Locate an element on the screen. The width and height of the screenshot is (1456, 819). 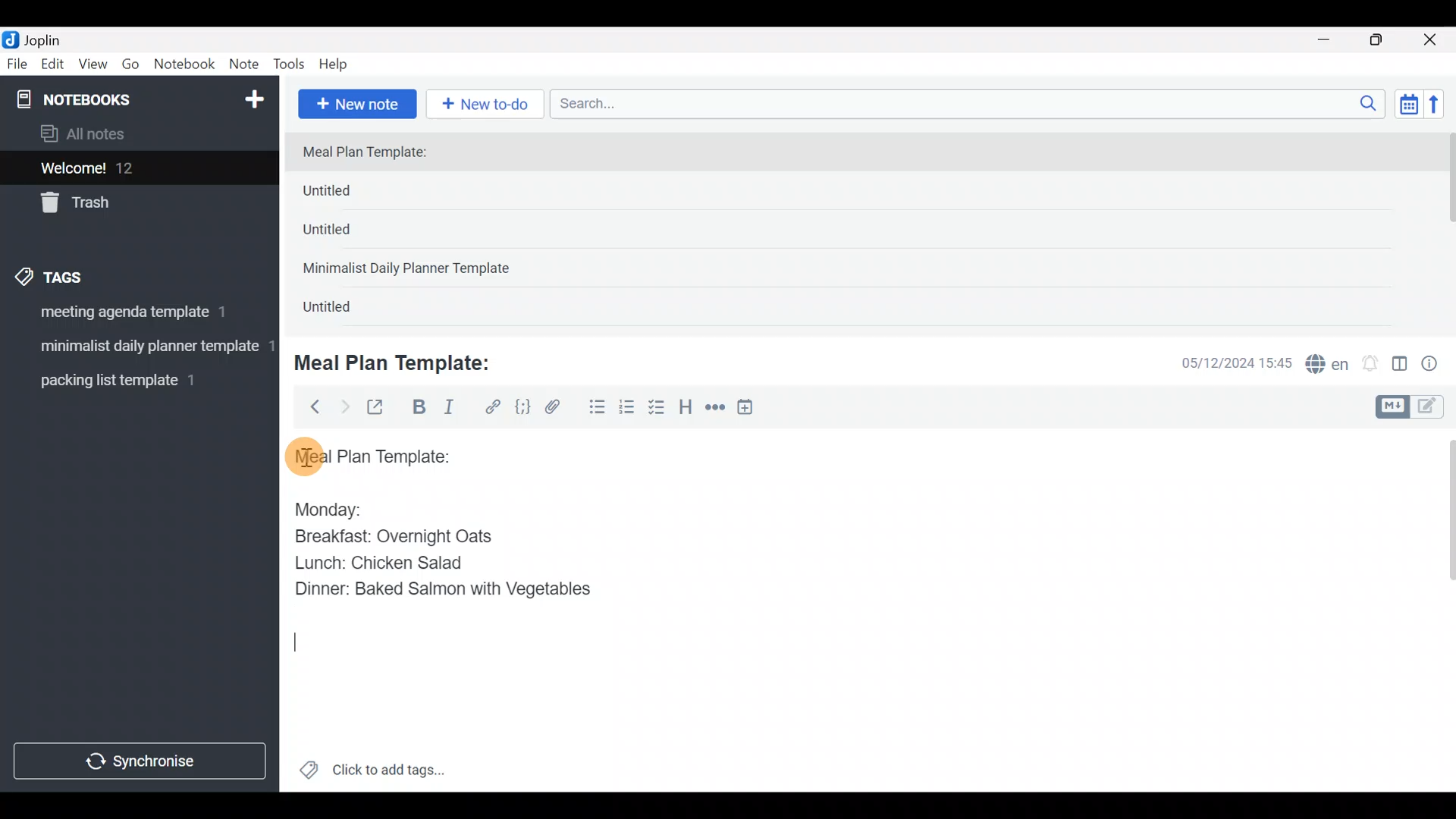
Insert time is located at coordinates (752, 409).